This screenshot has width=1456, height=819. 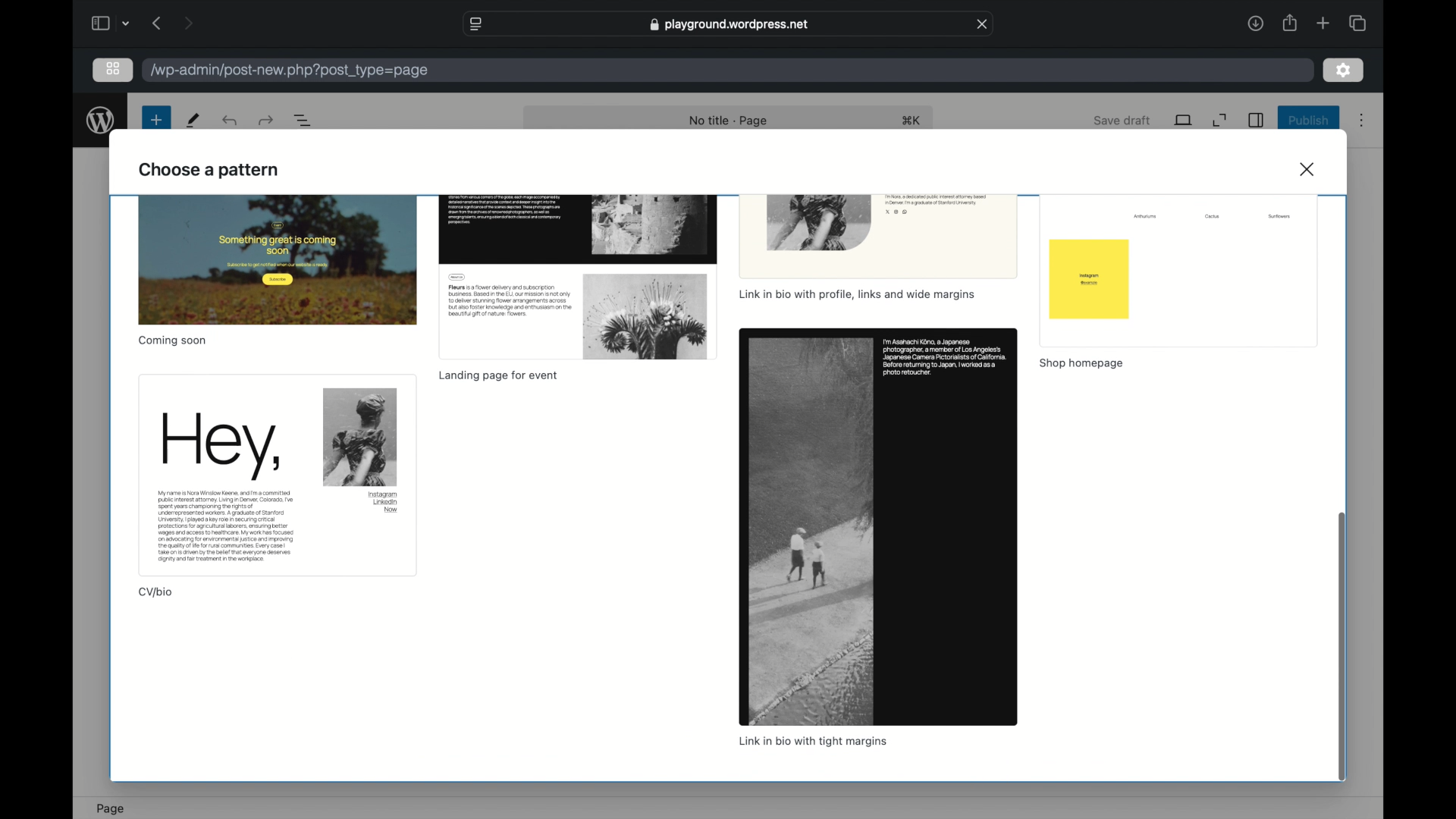 What do you see at coordinates (276, 475) in the screenshot?
I see `preview` at bounding box center [276, 475].